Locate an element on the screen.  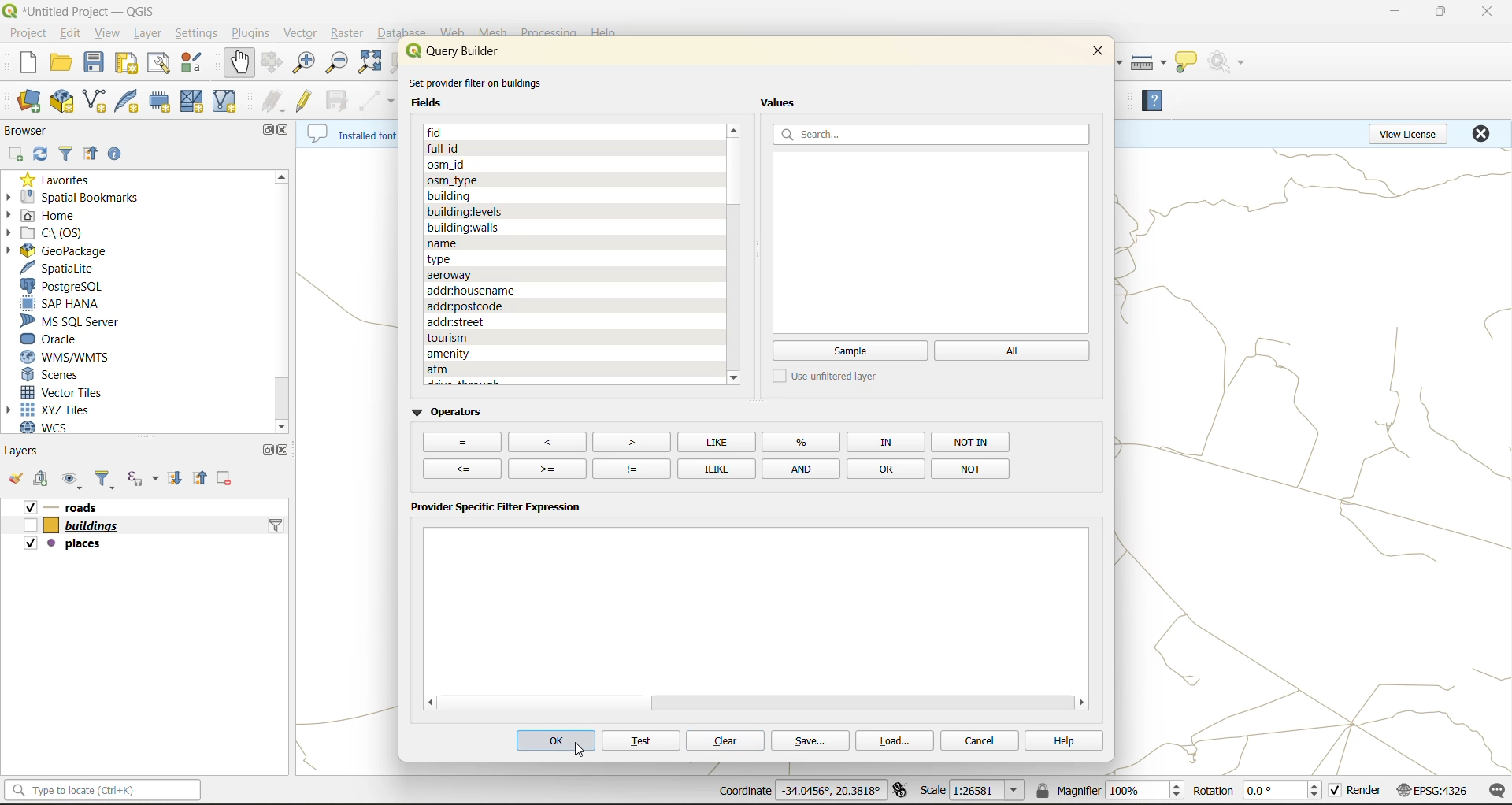
wns is located at coordinates (61, 357).